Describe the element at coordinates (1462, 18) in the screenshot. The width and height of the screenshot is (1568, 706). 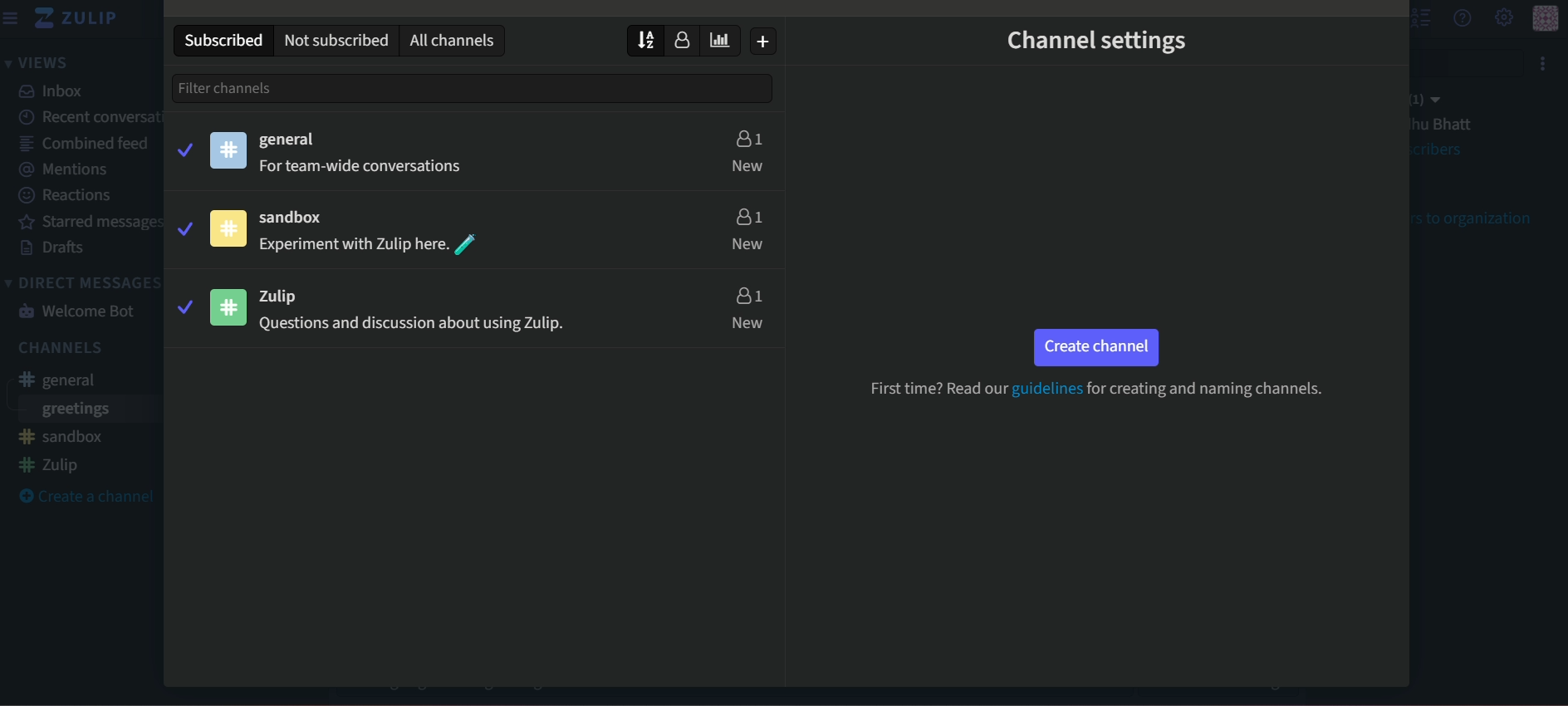
I see `question` at that location.